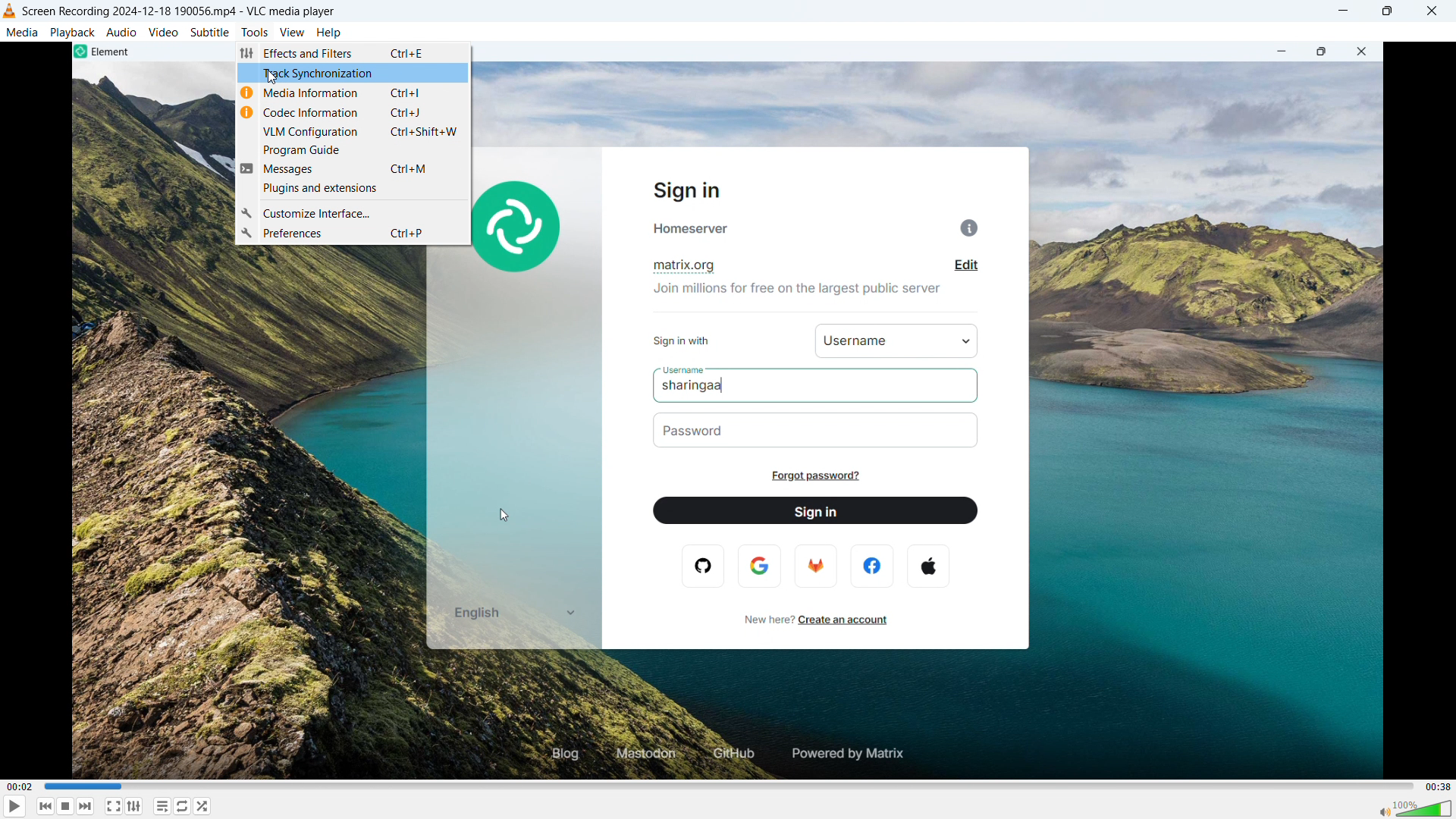  Describe the element at coordinates (817, 566) in the screenshot. I see `firefox logo` at that location.